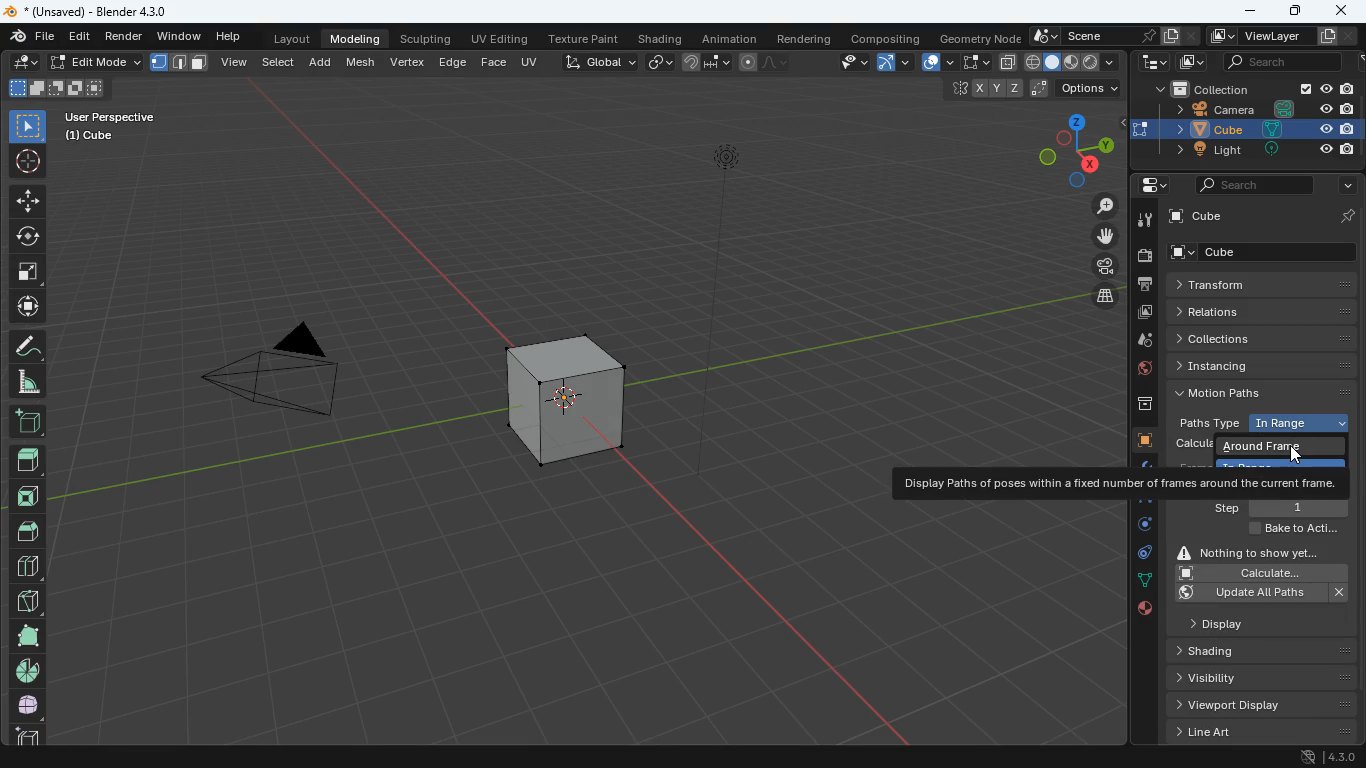 The height and width of the screenshot is (768, 1366). Describe the element at coordinates (1285, 36) in the screenshot. I see `view layer` at that location.